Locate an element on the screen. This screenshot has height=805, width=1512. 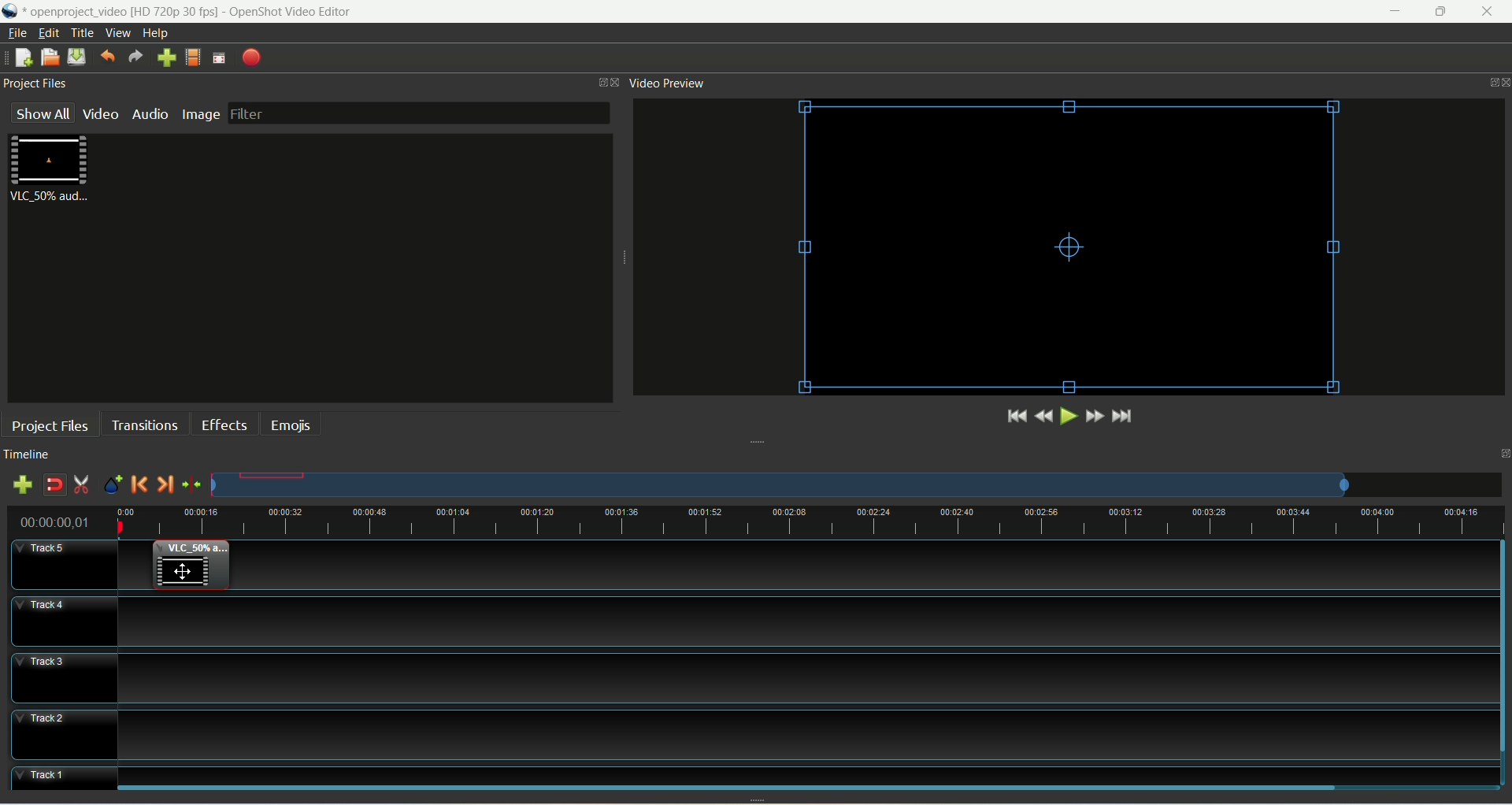
save project is located at coordinates (77, 57).